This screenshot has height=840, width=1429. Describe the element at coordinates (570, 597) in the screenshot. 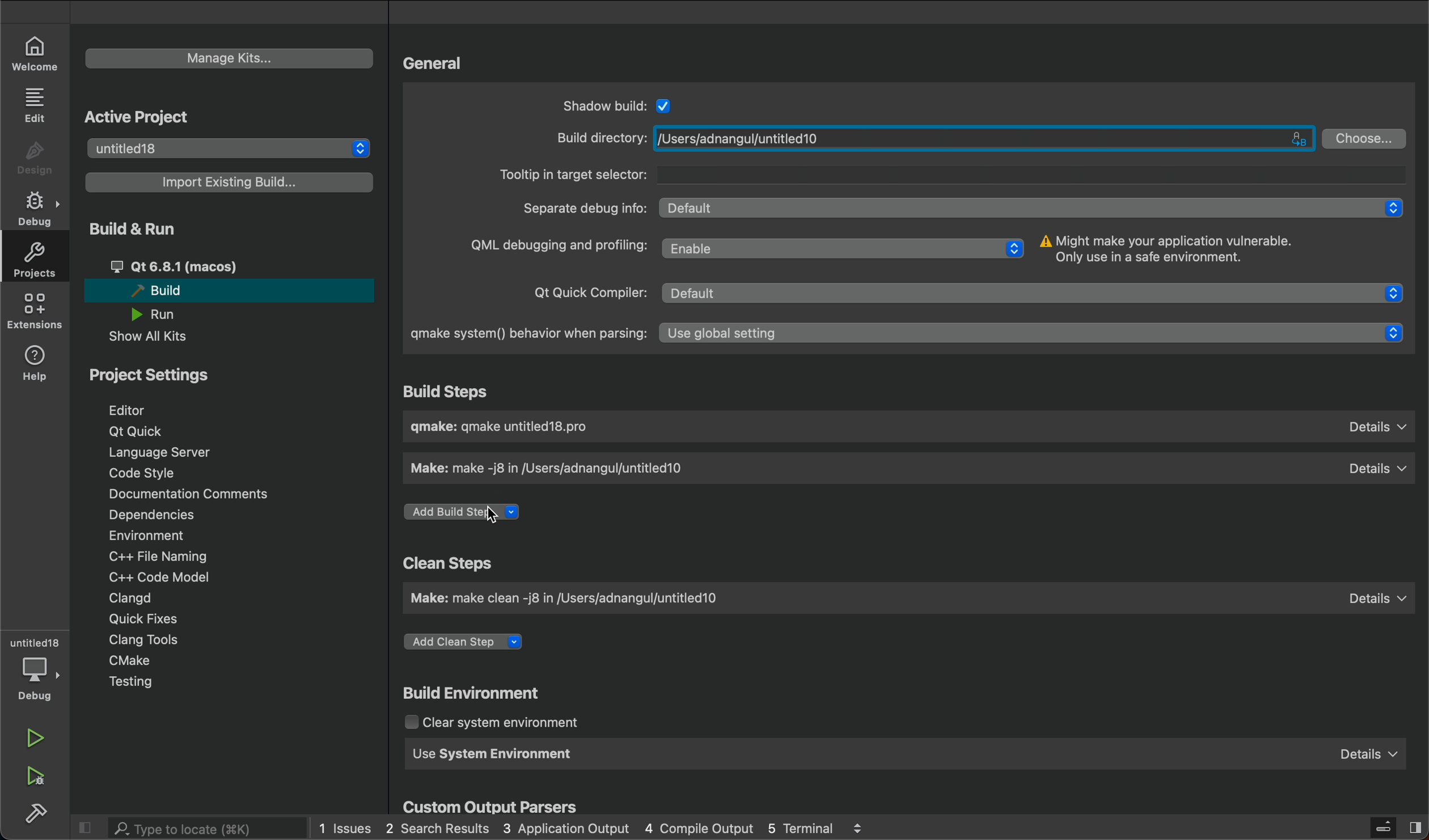

I see `Make: make clean -j8 in /Users/adnangul/untitled10` at that location.